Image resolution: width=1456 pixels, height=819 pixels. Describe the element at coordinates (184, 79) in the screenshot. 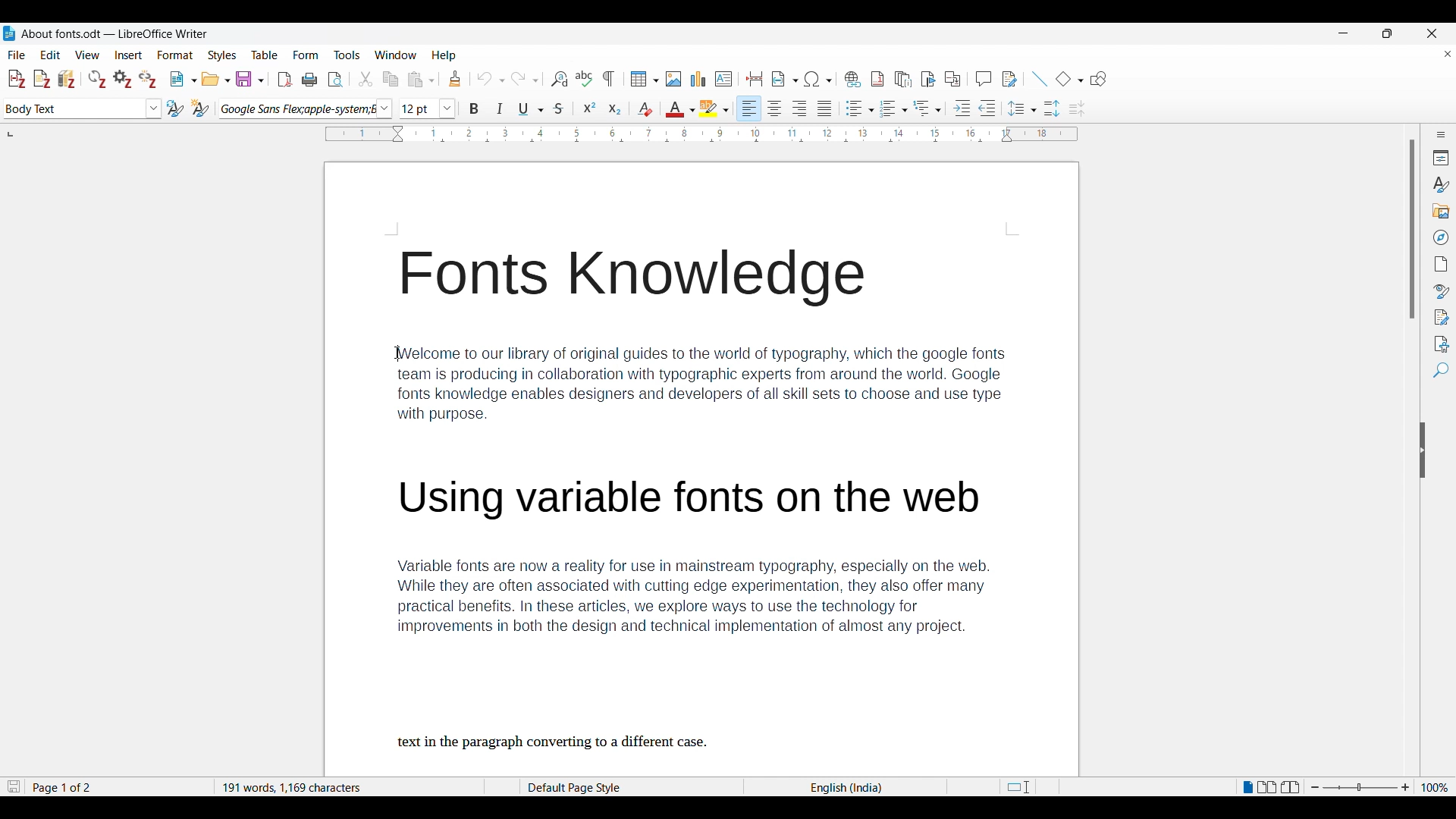

I see `New document` at that location.